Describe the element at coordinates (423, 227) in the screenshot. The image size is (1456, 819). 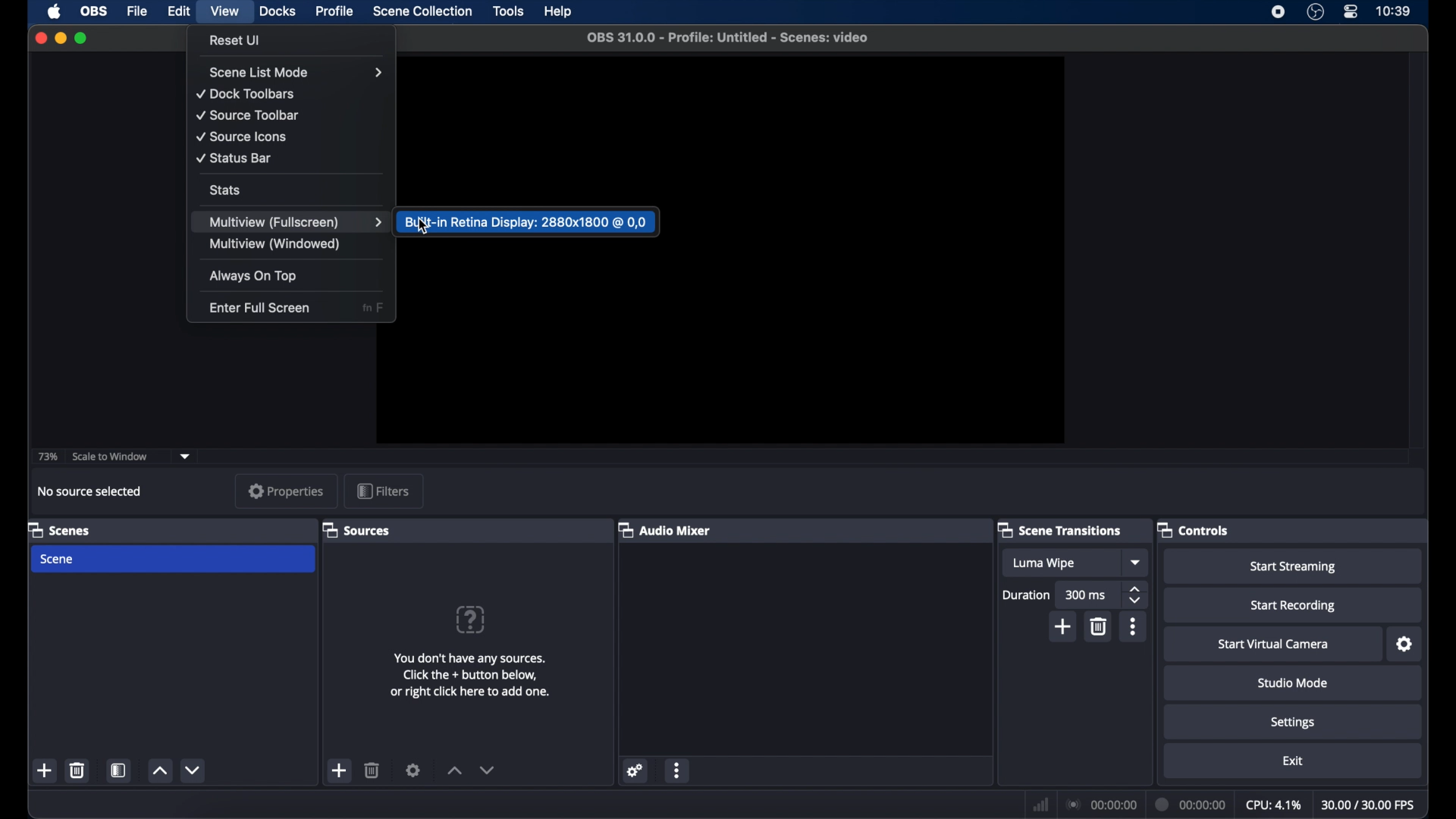
I see `cursor` at that location.